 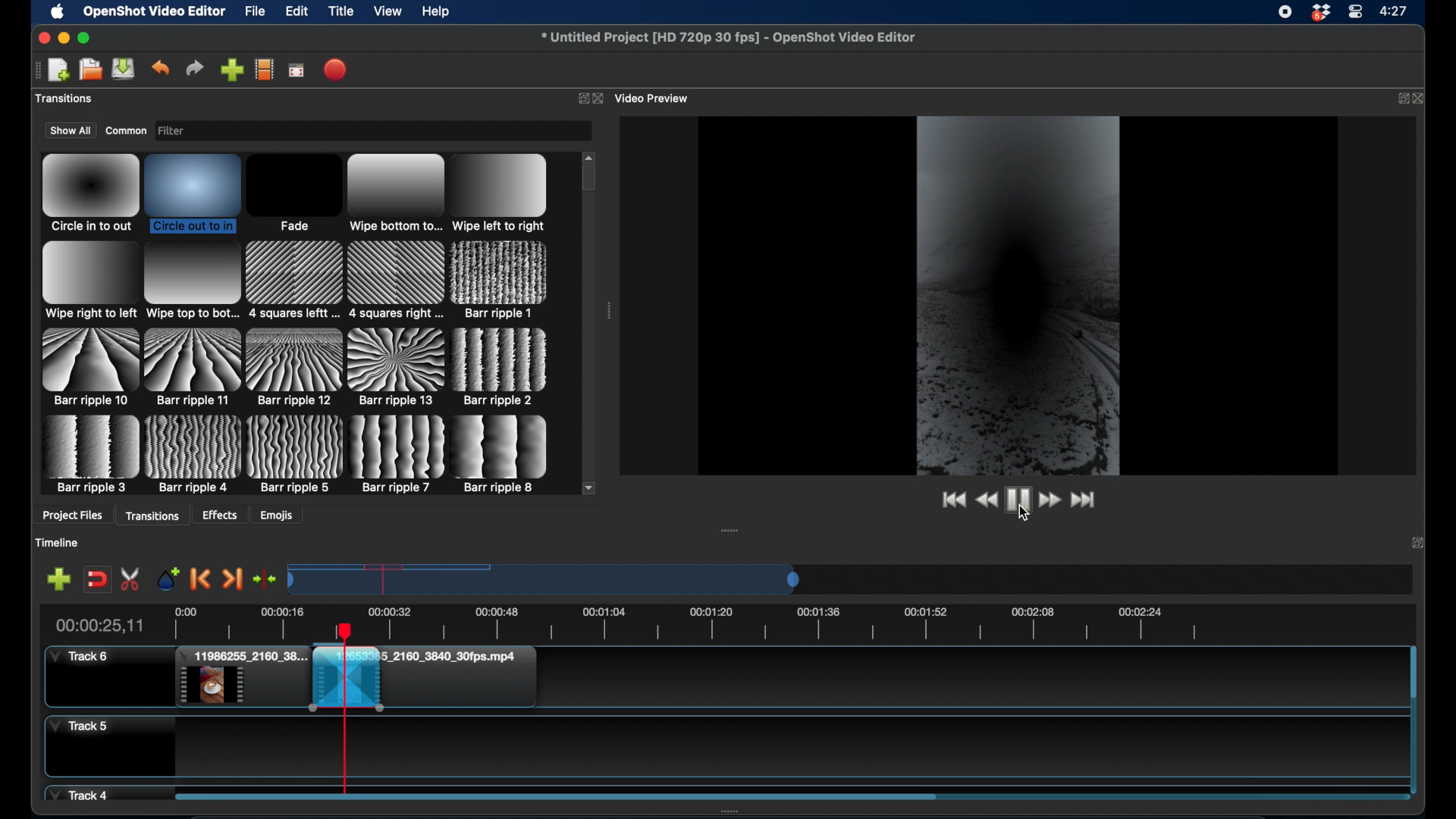 What do you see at coordinates (132, 579) in the screenshot?
I see `enable razor` at bounding box center [132, 579].